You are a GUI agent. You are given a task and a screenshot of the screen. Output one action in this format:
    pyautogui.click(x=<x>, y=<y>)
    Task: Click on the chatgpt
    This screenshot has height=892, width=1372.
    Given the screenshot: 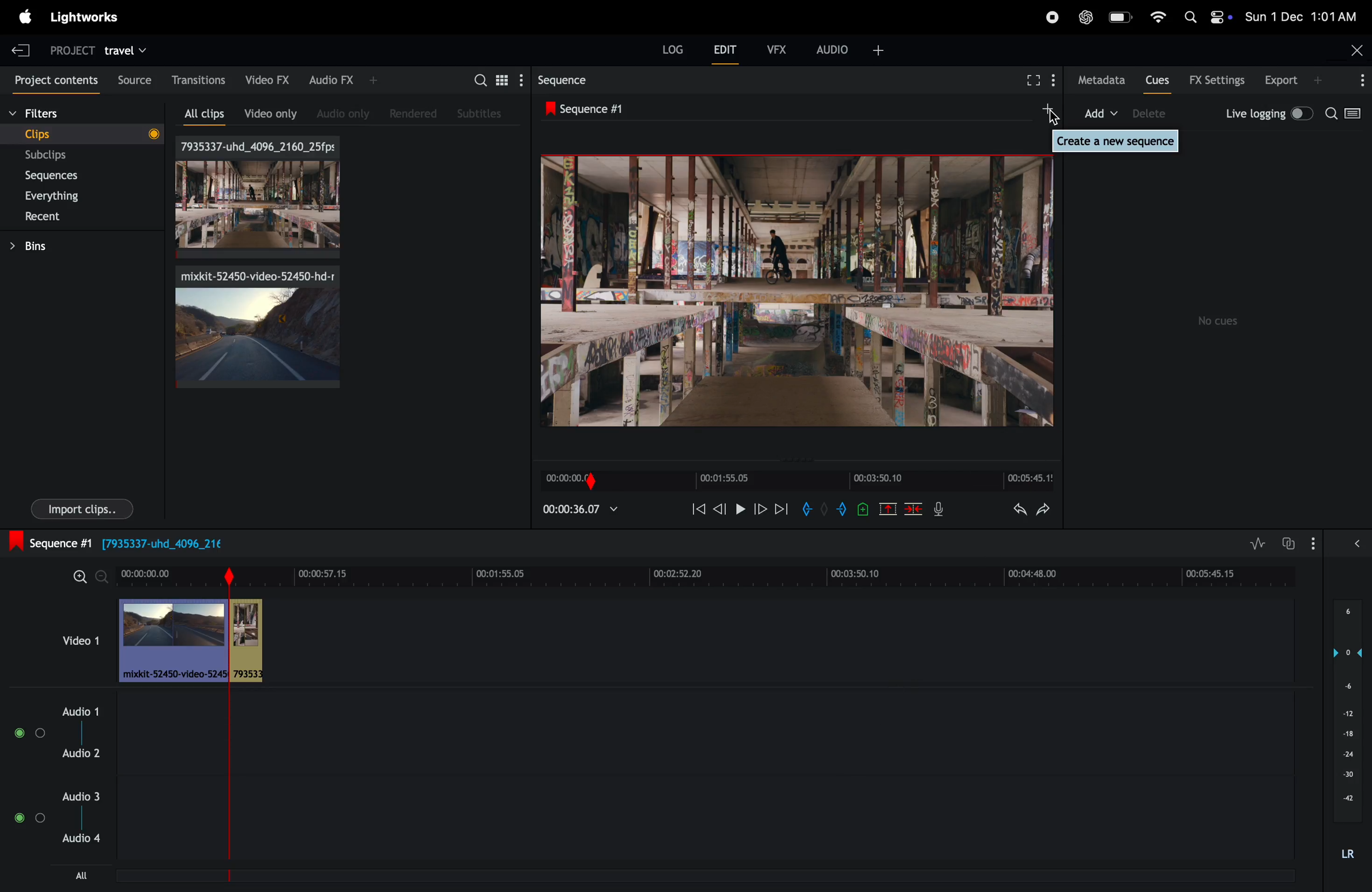 What is the action you would take?
    pyautogui.click(x=1086, y=18)
    